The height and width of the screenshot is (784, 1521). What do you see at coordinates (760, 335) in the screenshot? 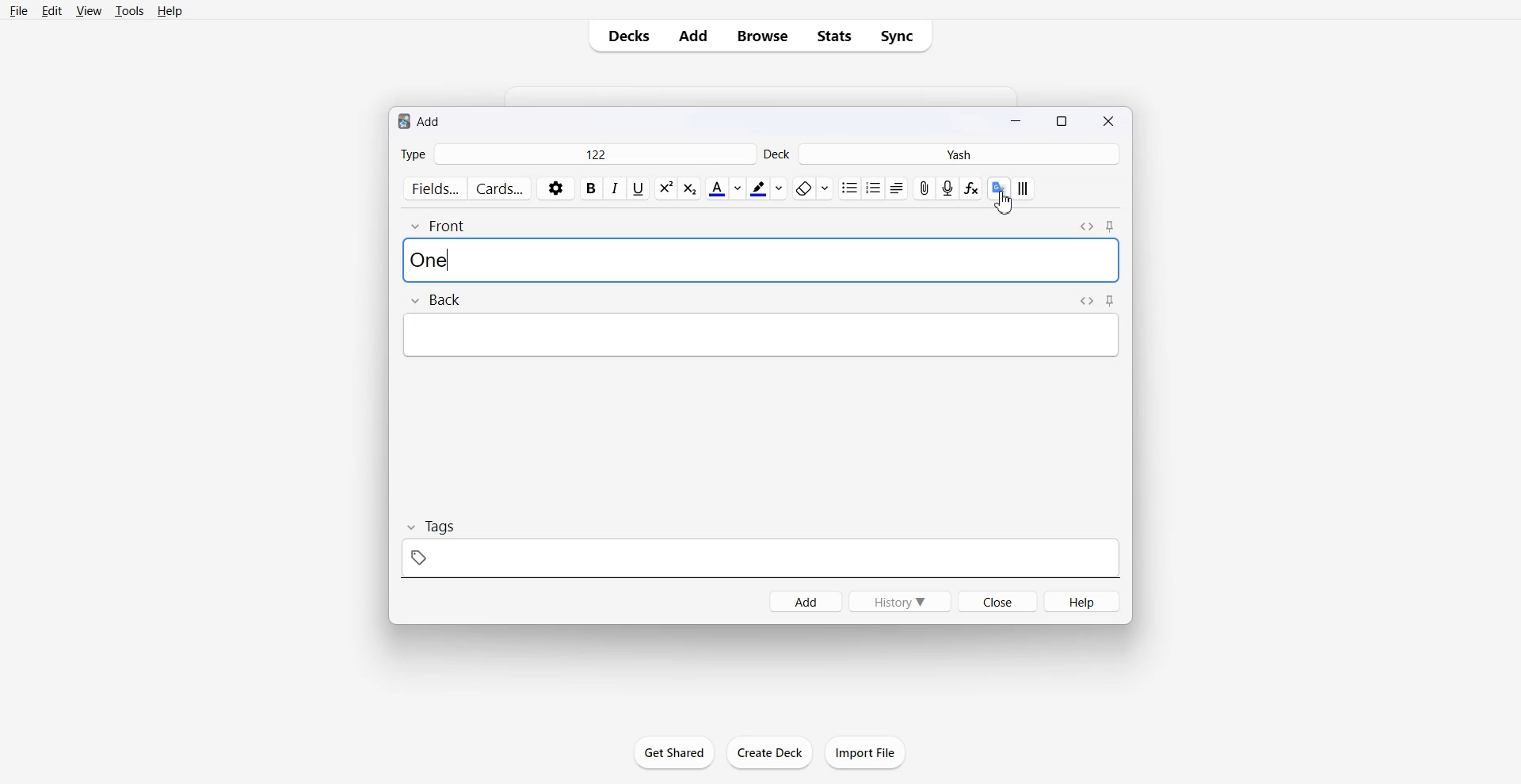
I see `typing space` at bounding box center [760, 335].